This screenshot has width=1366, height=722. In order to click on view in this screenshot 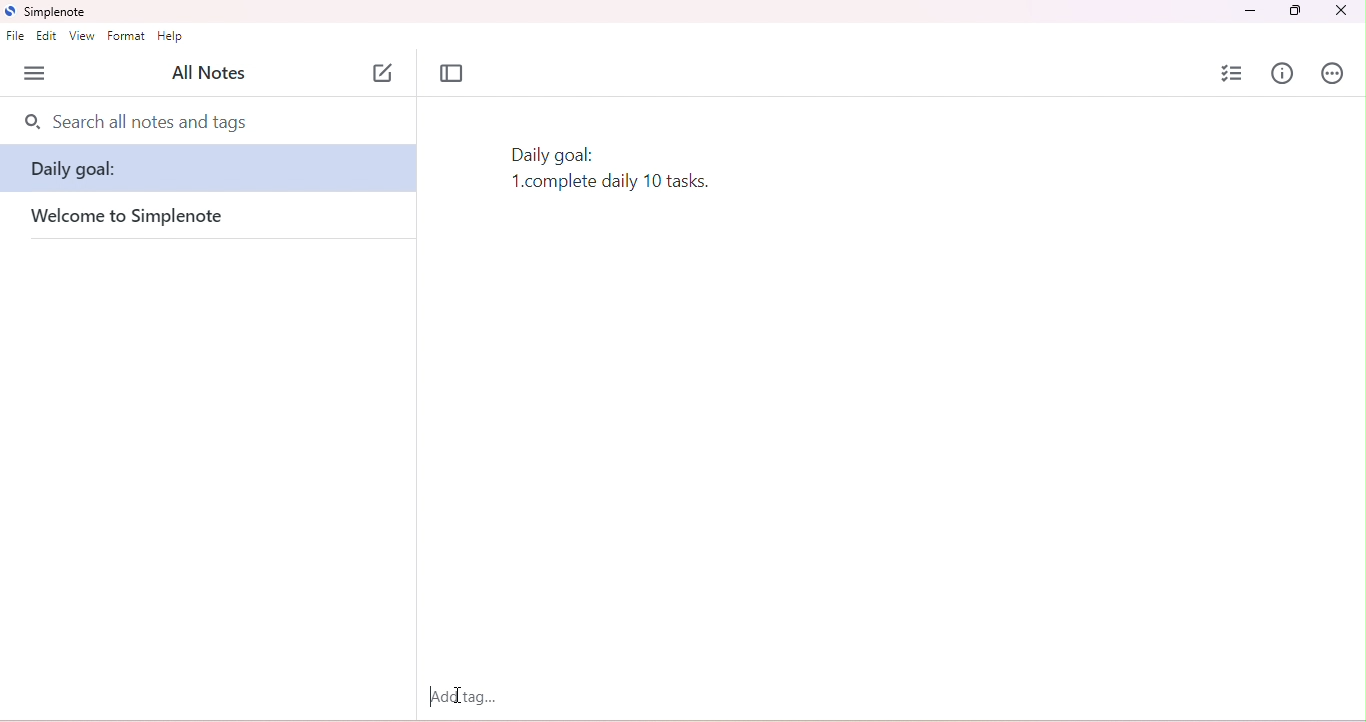, I will do `click(83, 36)`.